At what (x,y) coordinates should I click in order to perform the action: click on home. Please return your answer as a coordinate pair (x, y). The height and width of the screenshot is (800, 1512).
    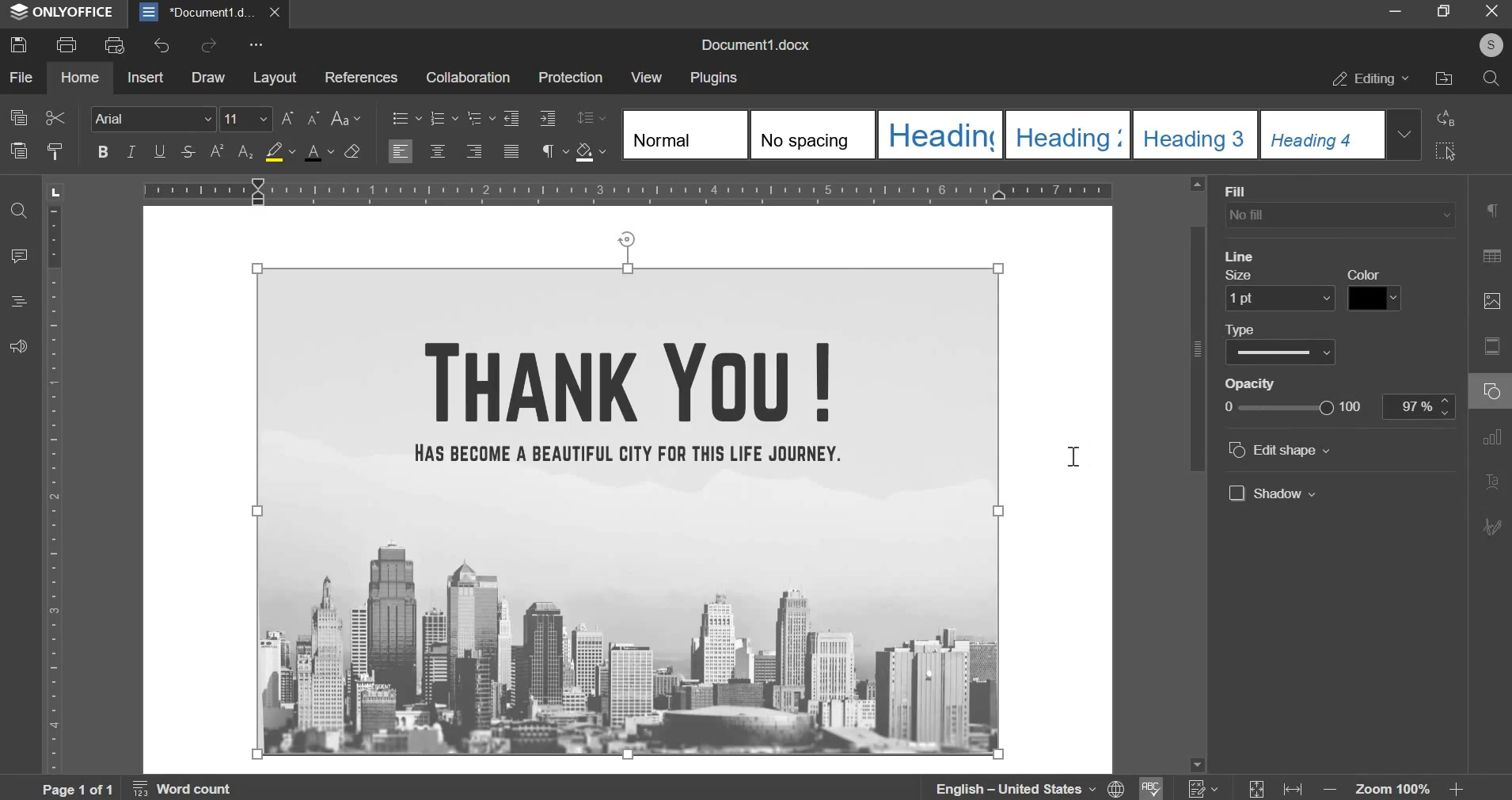
    Looking at the image, I should click on (79, 76).